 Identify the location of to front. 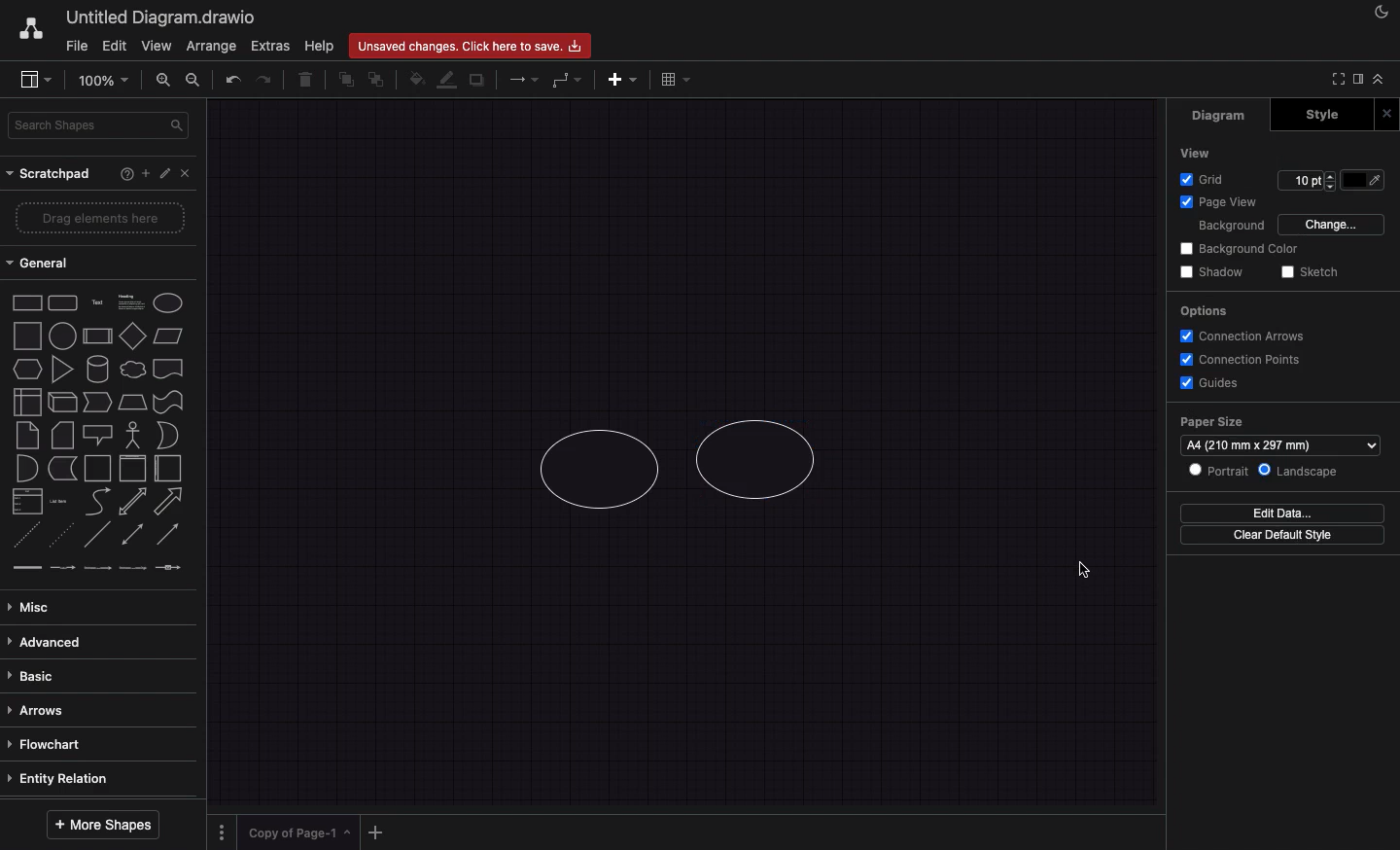
(343, 81).